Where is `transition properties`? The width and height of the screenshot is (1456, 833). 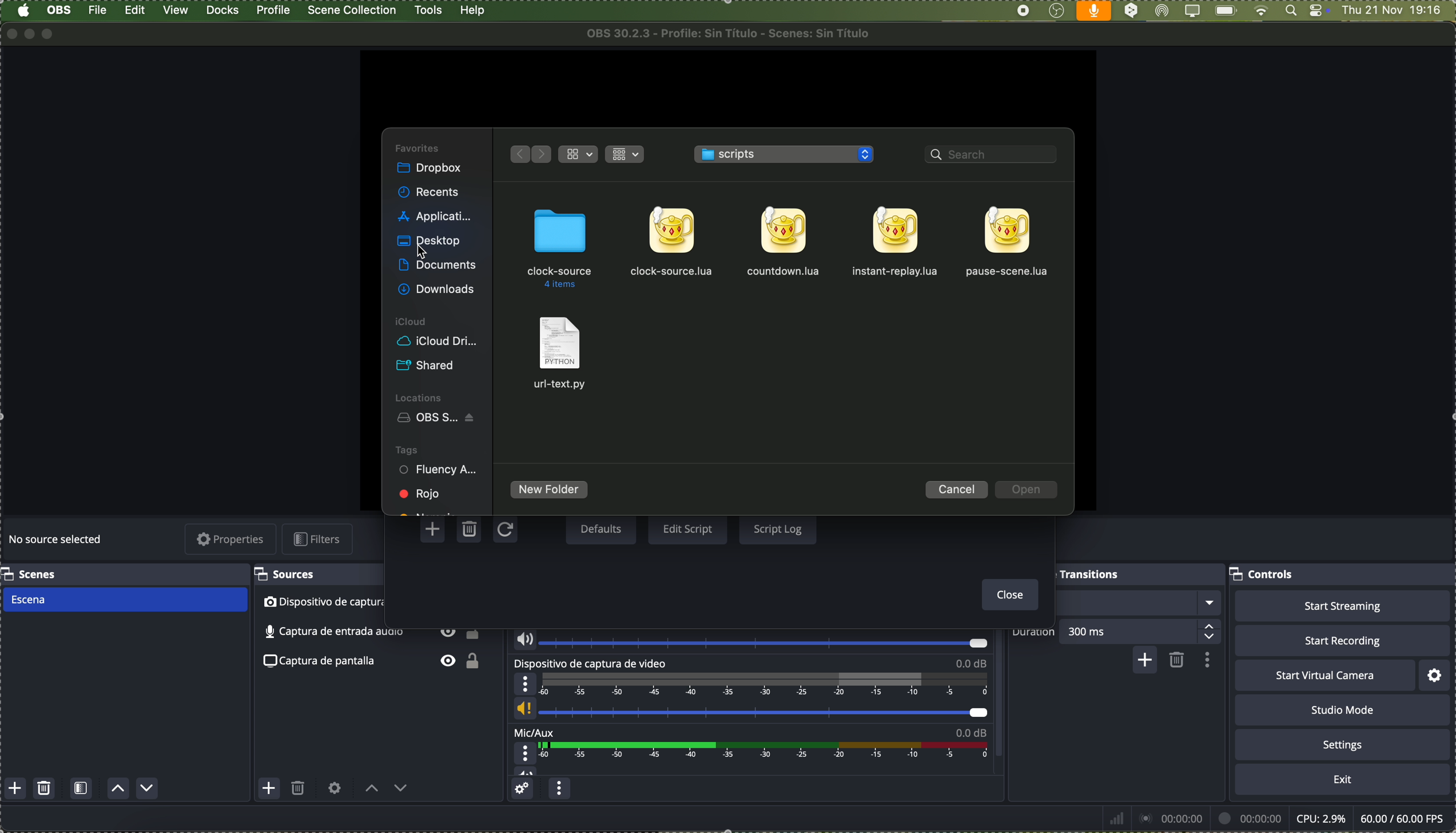
transition properties is located at coordinates (1206, 660).